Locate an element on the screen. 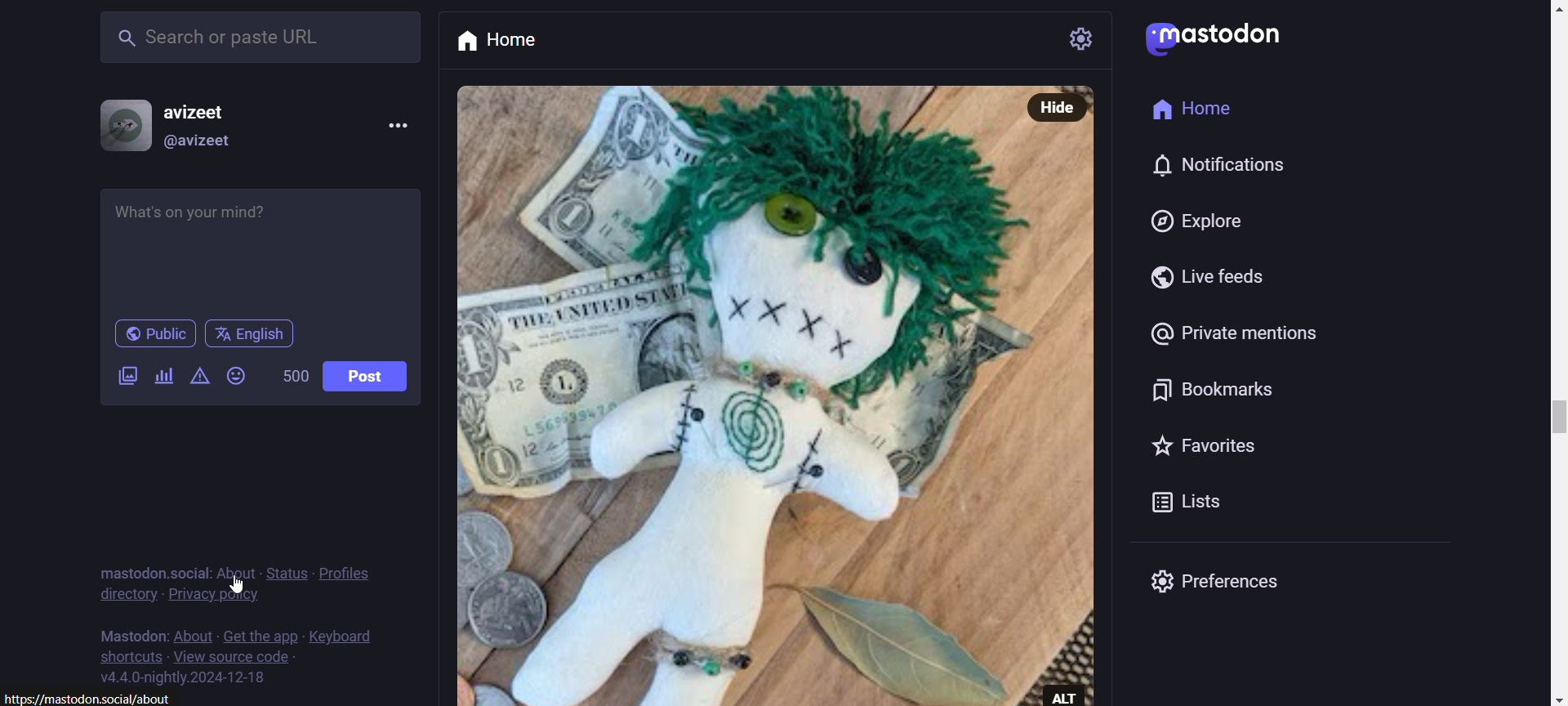 The image size is (1568, 706). home is located at coordinates (1200, 107).